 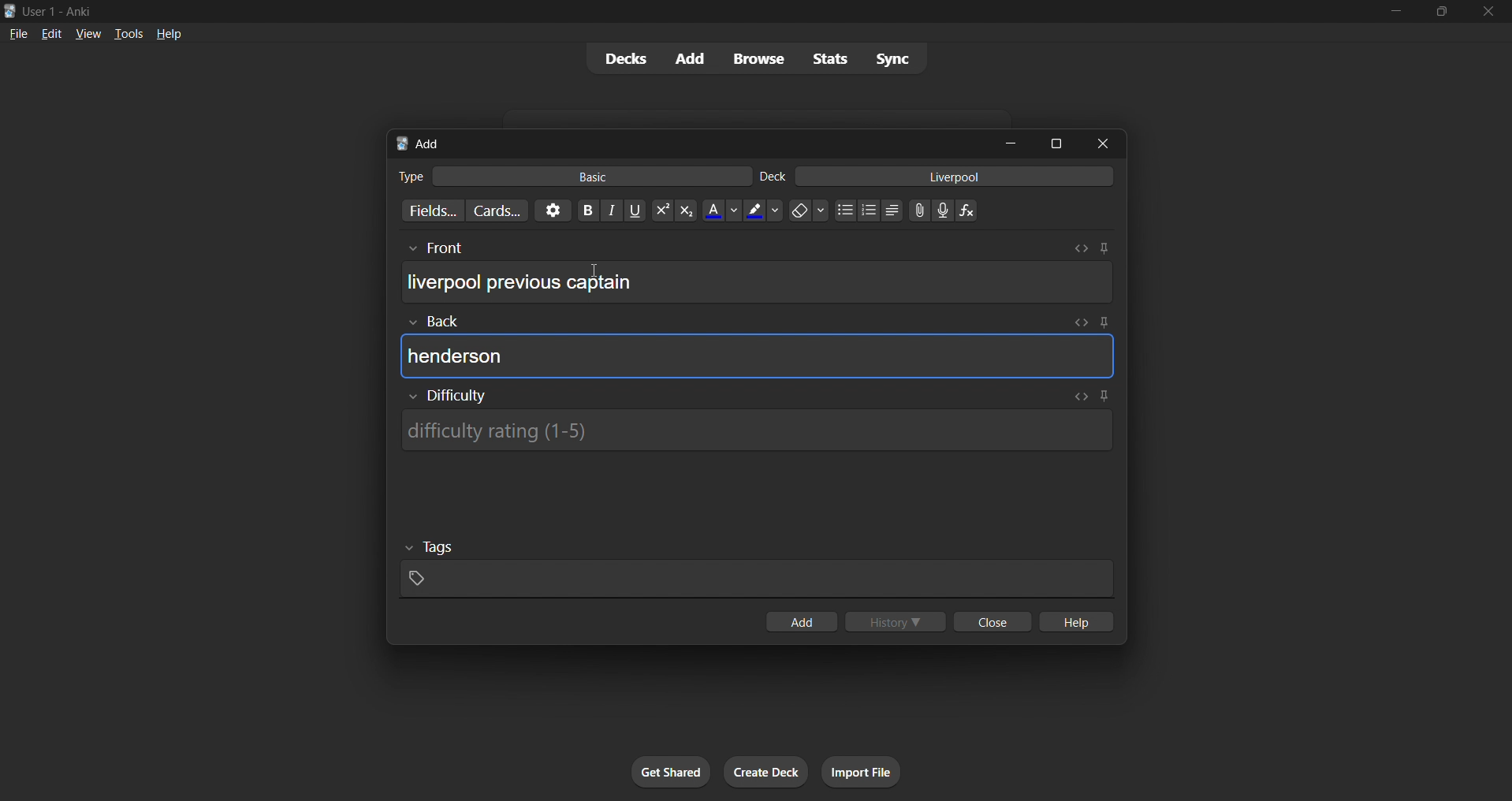 What do you see at coordinates (661, 211) in the screenshot?
I see `superscript` at bounding box center [661, 211].